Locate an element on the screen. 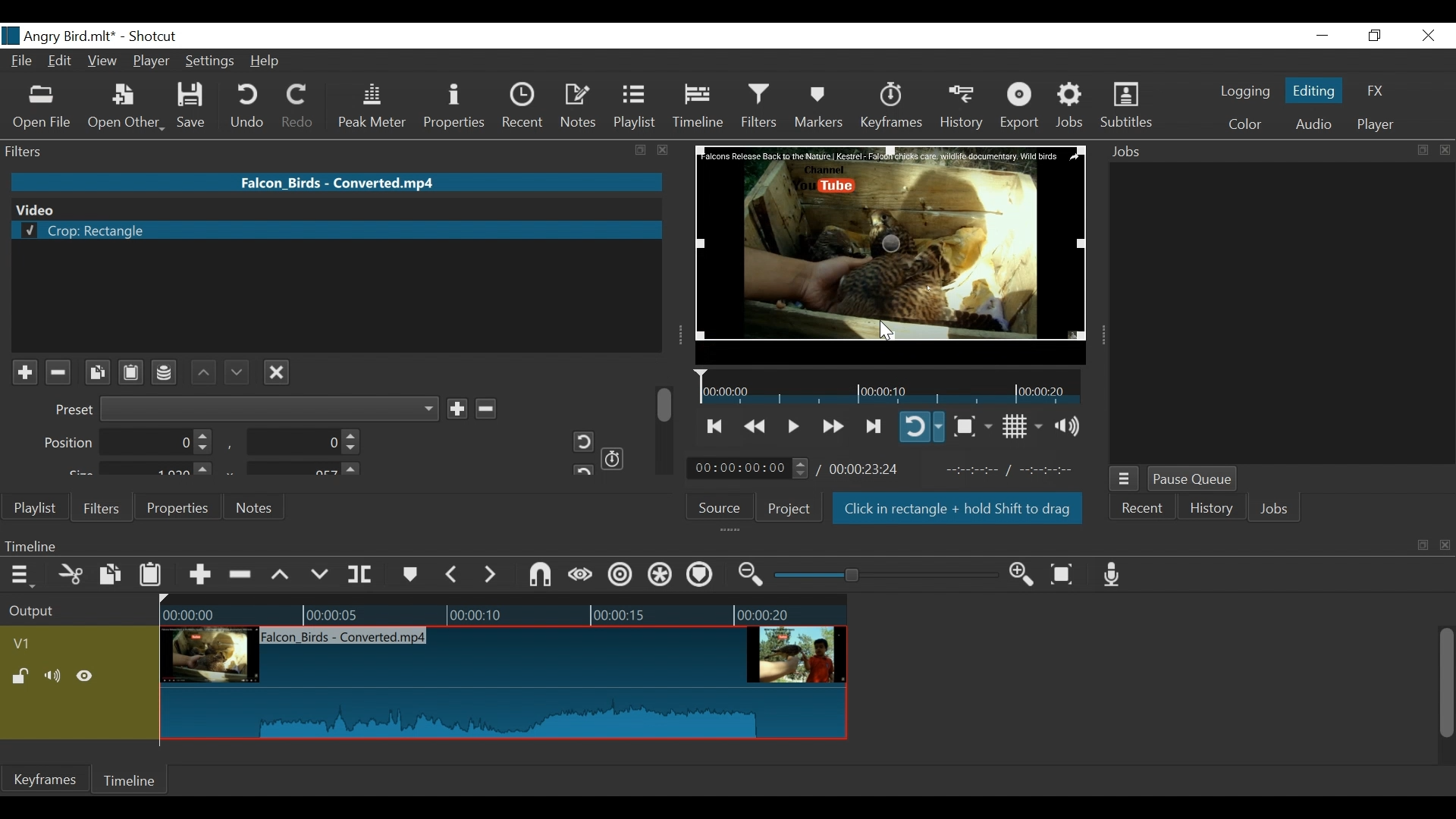 Image resolution: width=1456 pixels, height=819 pixels. Scrub while dragging is located at coordinates (583, 576).